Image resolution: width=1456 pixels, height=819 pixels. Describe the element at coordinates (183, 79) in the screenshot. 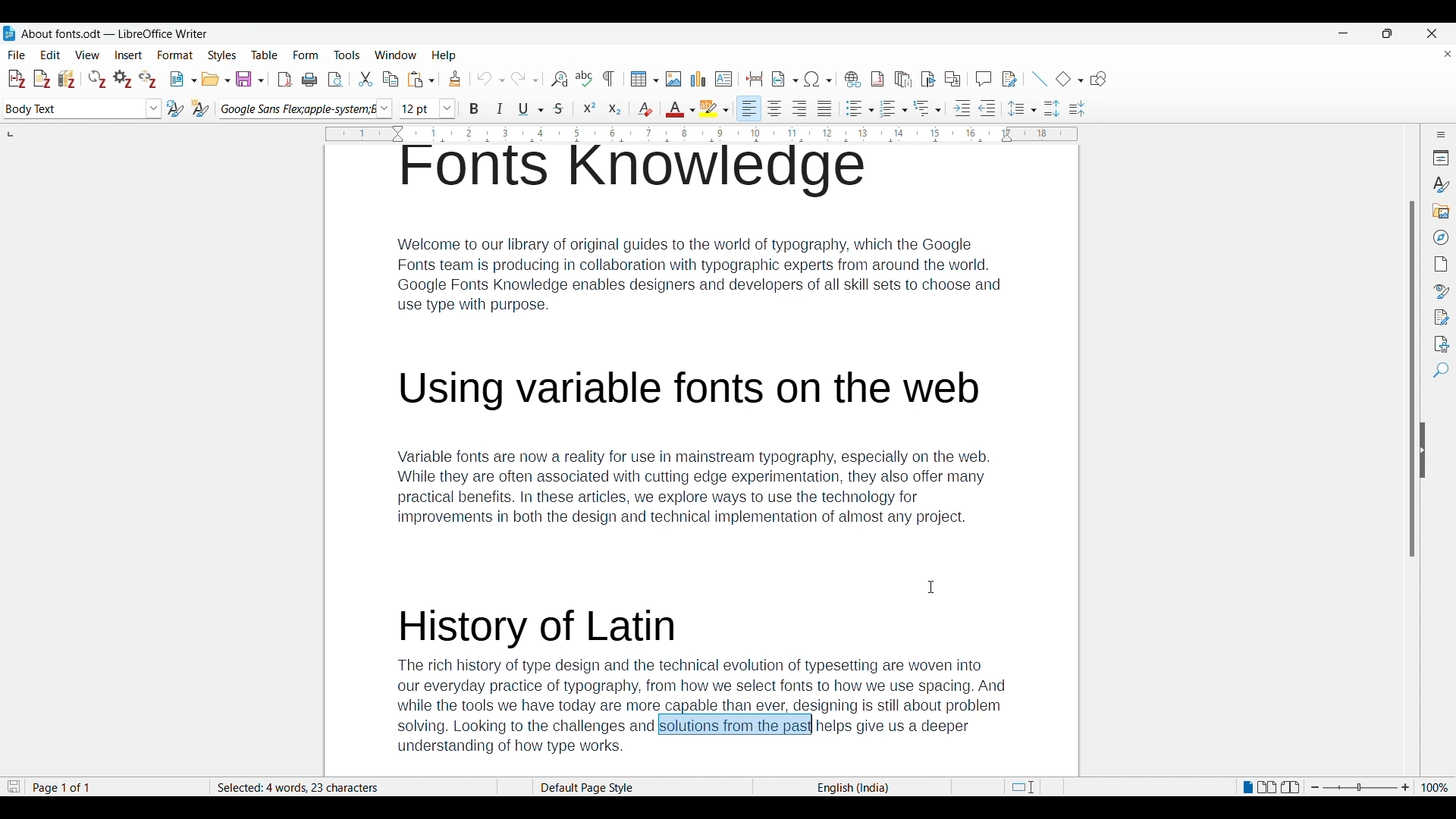

I see `New and New options` at that location.